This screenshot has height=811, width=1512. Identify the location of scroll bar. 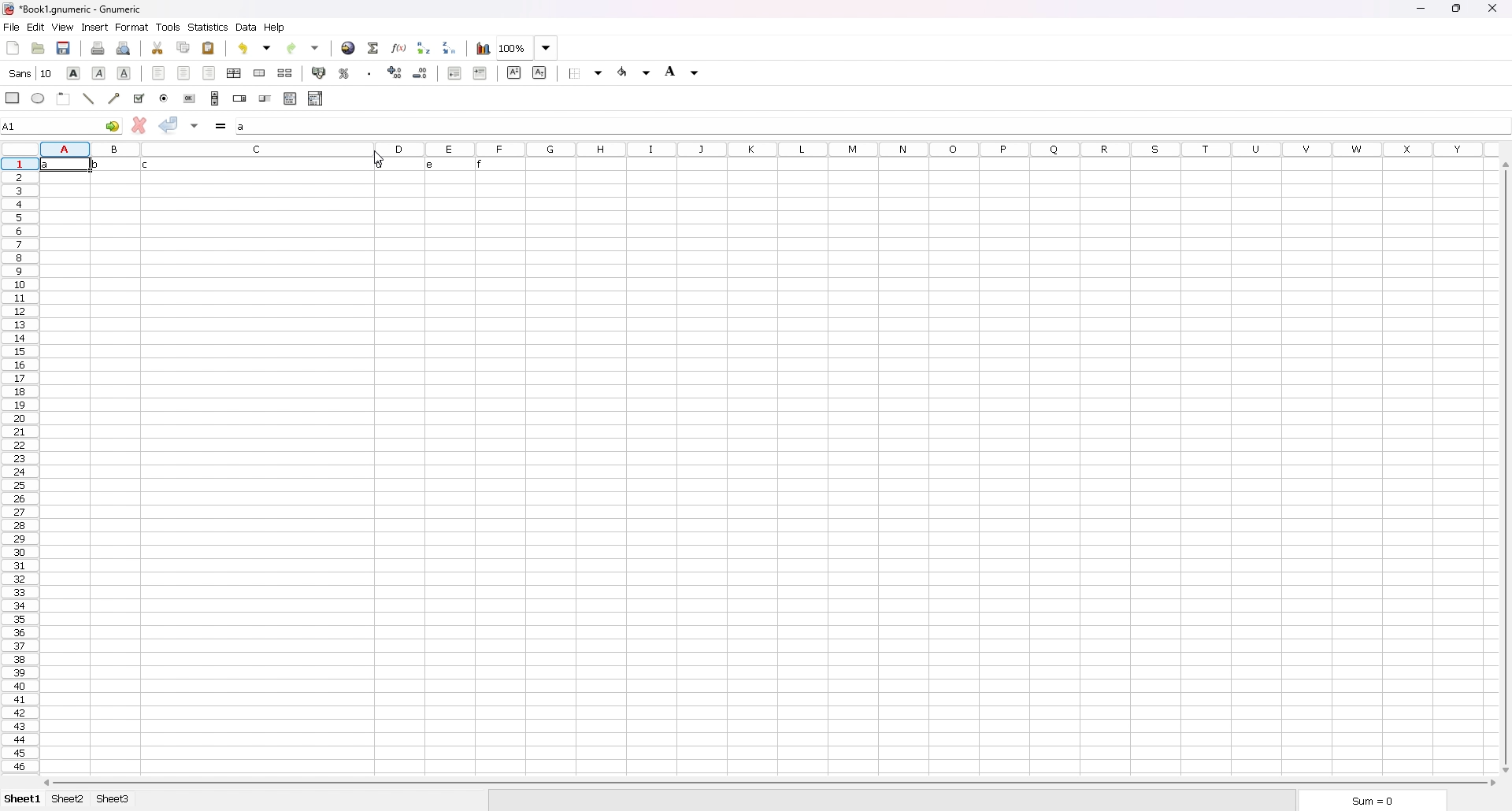
(1506, 468).